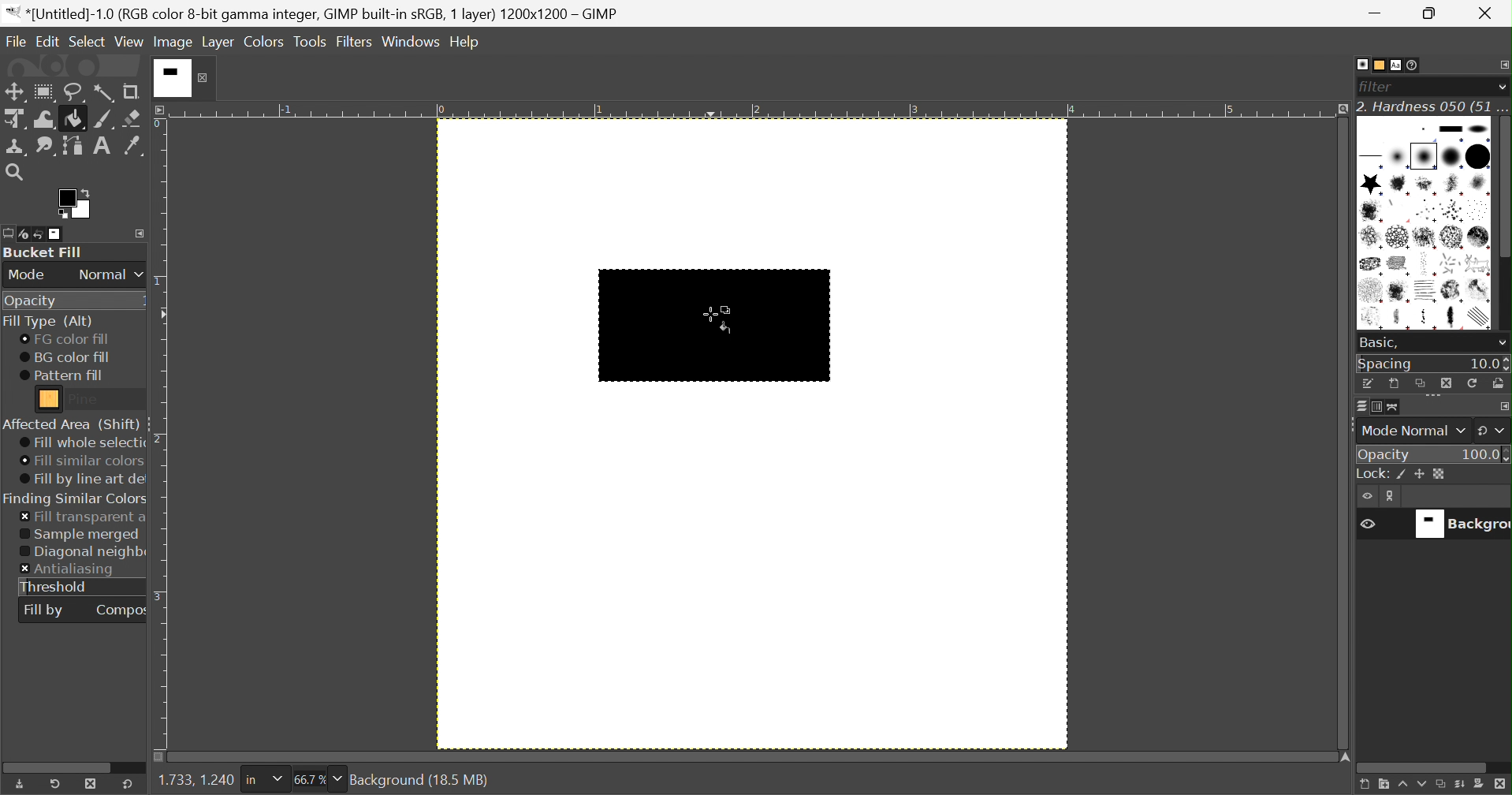  Describe the element at coordinates (1435, 398) in the screenshot. I see `Options` at that location.